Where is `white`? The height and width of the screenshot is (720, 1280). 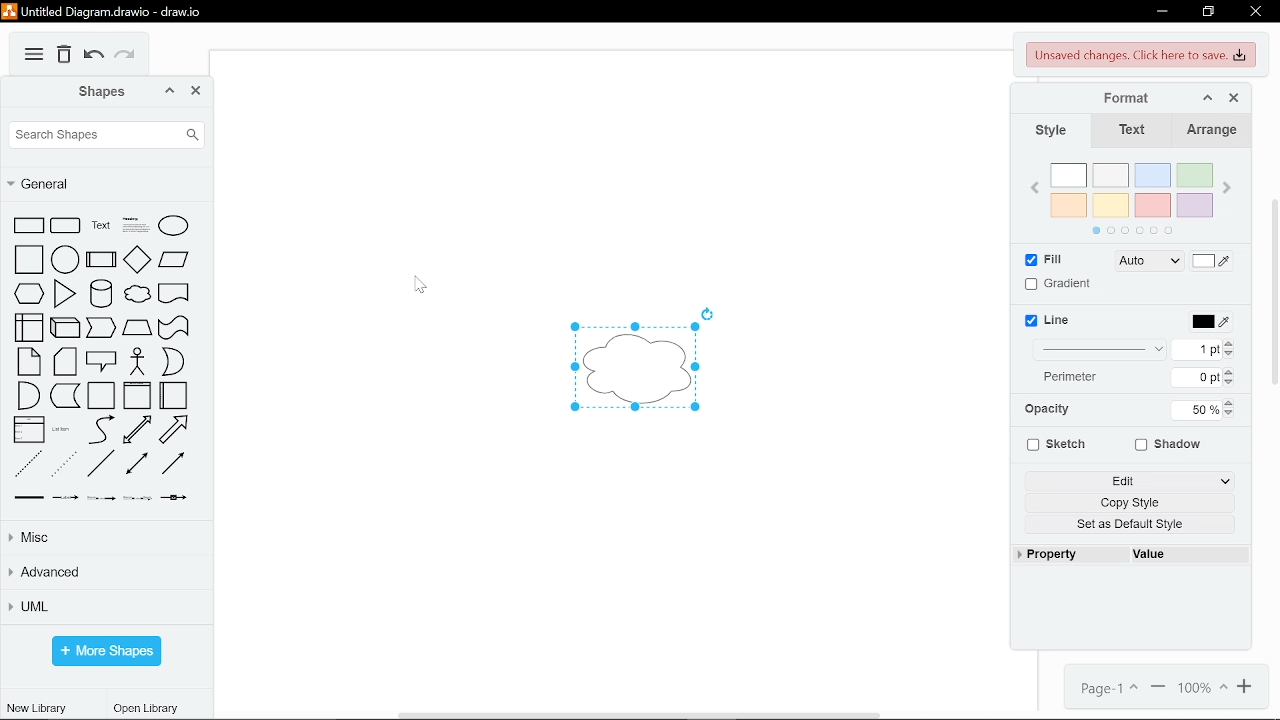
white is located at coordinates (1068, 175).